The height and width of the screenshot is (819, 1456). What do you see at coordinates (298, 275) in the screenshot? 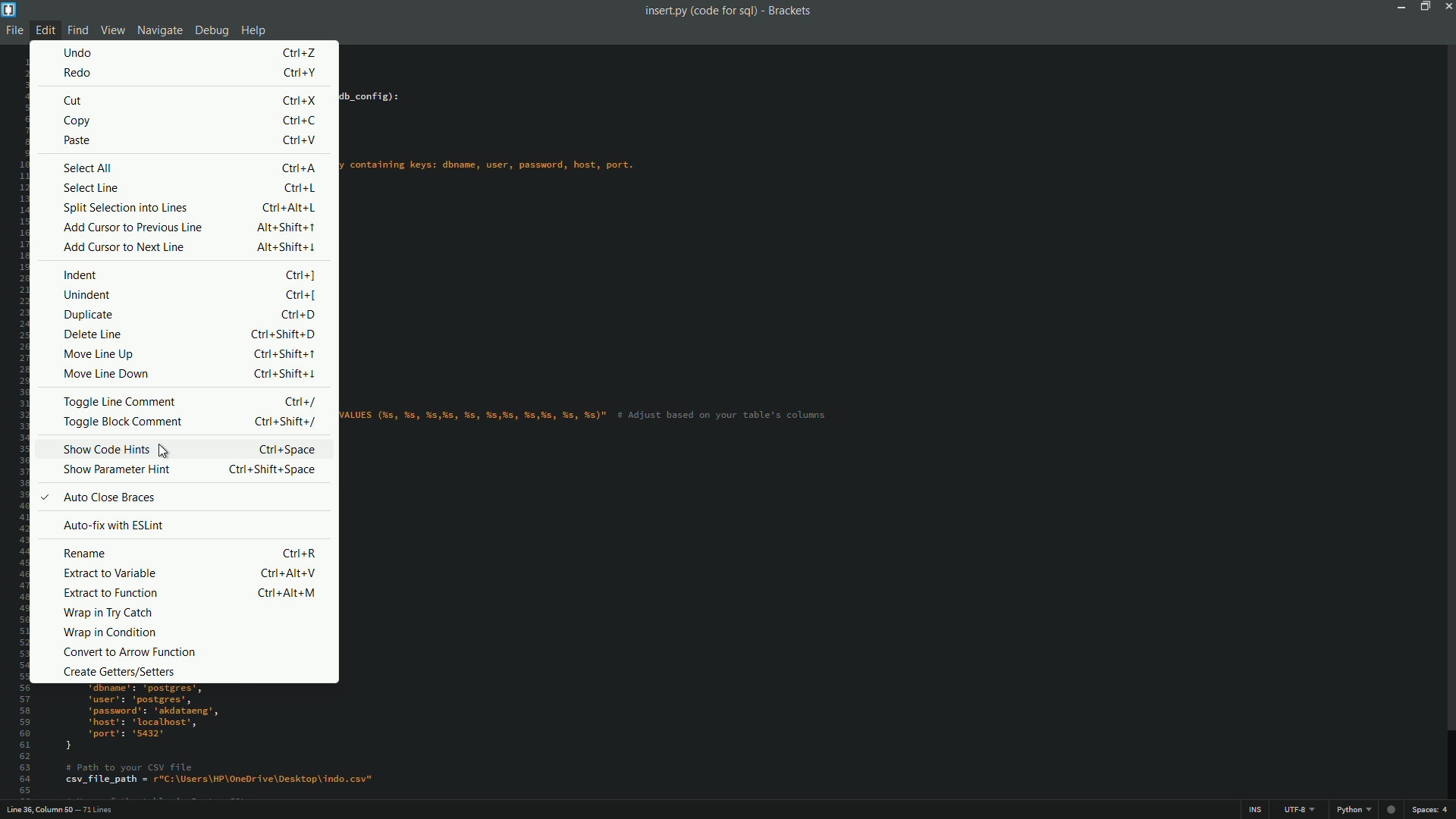
I see `keyboard shortcut` at bounding box center [298, 275].